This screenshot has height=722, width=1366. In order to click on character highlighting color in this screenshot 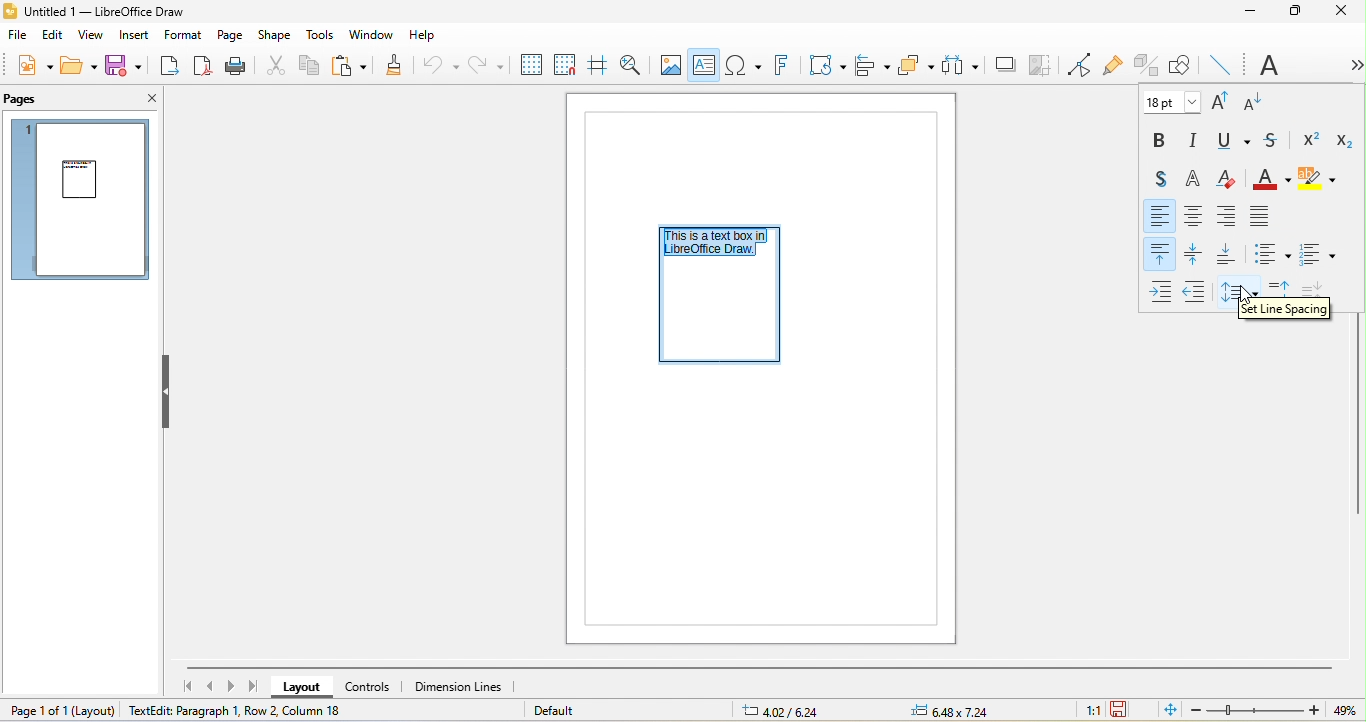, I will do `click(1321, 180)`.